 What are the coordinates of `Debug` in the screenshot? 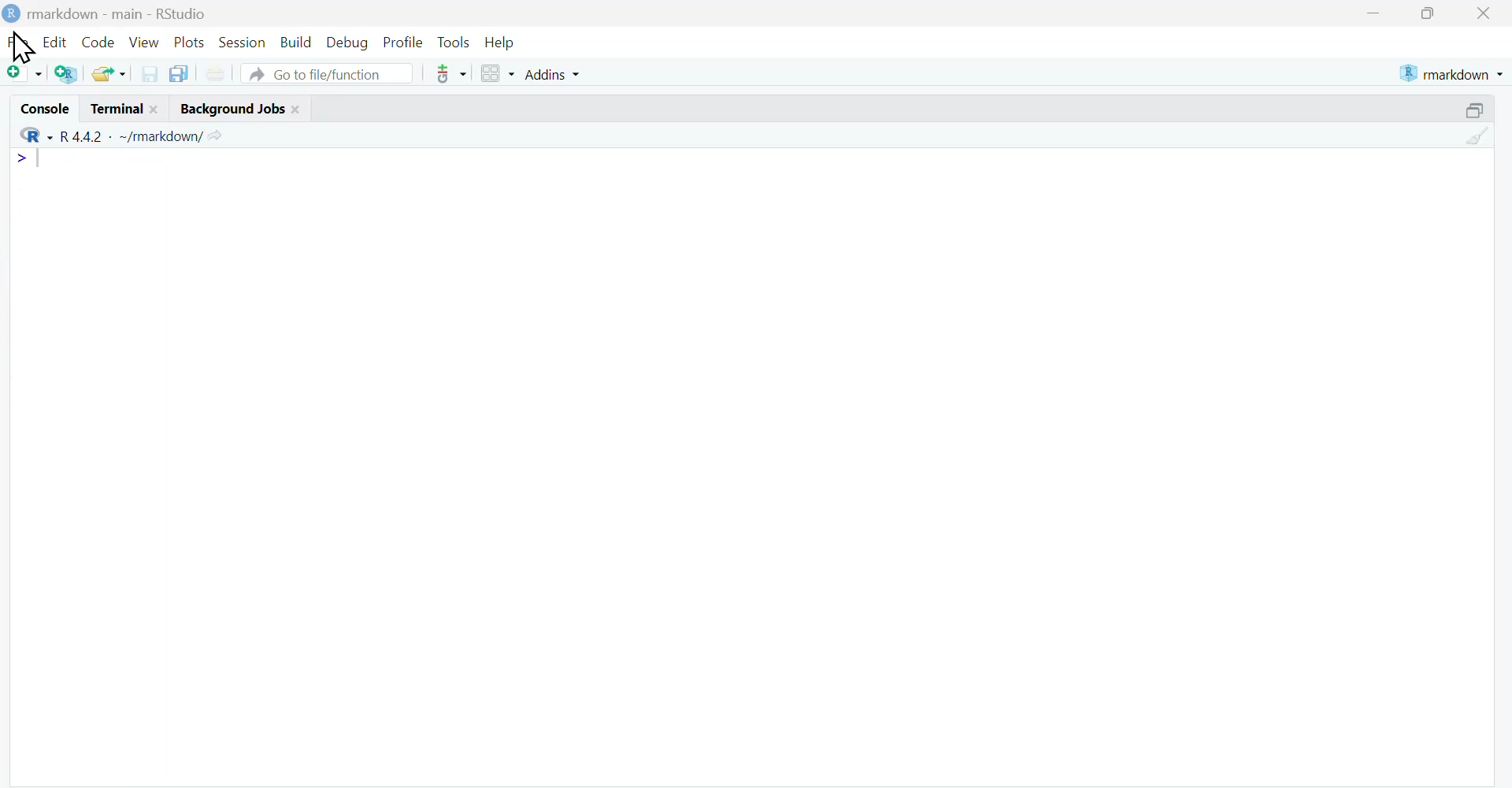 It's located at (346, 43).